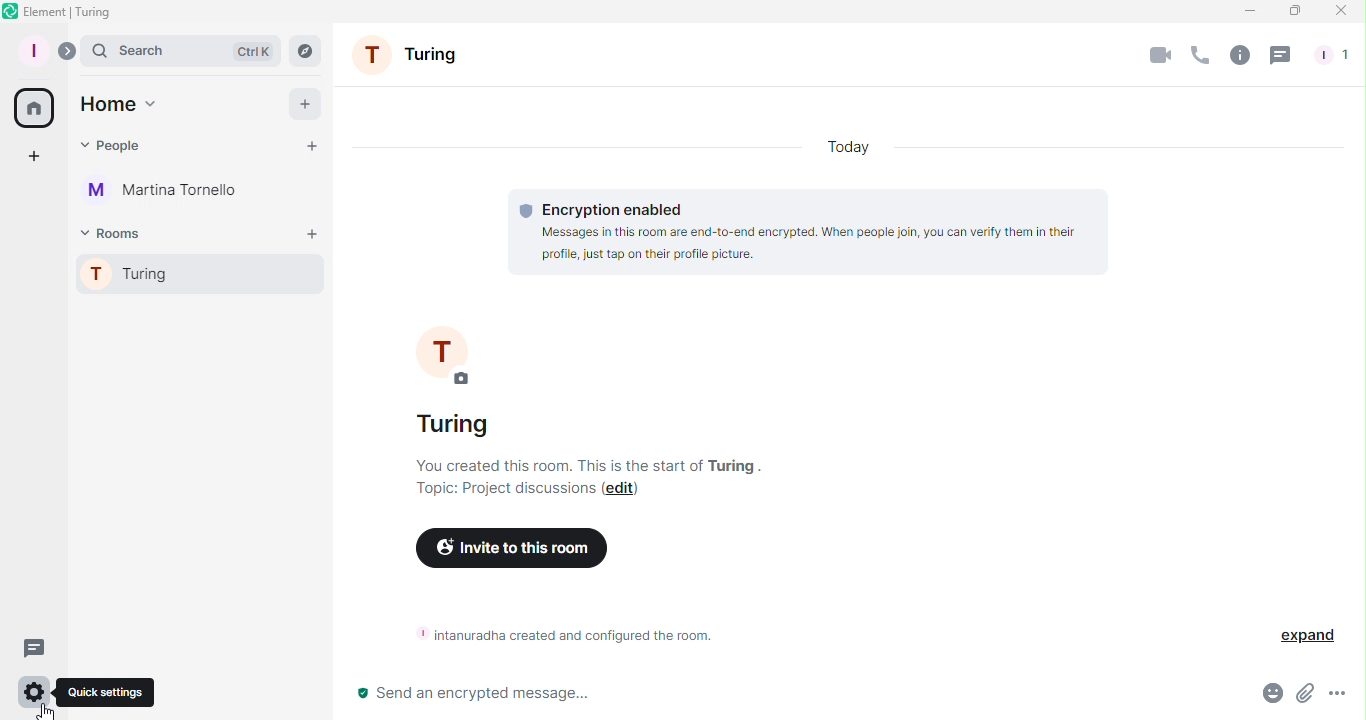 Image resolution: width=1366 pixels, height=720 pixels. What do you see at coordinates (1198, 60) in the screenshot?
I see `Call` at bounding box center [1198, 60].